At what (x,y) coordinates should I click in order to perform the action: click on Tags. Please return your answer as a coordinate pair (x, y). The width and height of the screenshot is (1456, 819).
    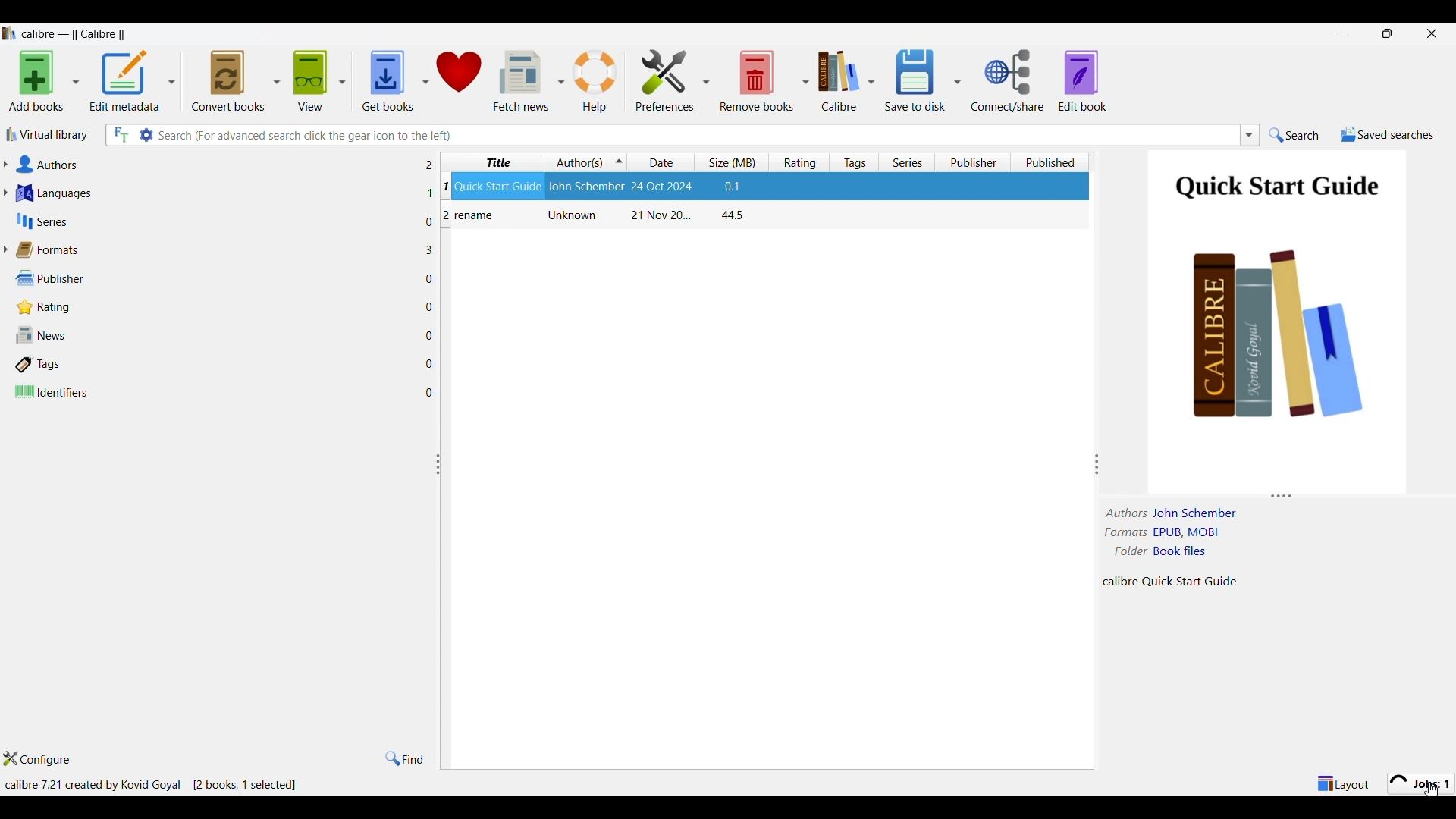
    Looking at the image, I should click on (213, 365).